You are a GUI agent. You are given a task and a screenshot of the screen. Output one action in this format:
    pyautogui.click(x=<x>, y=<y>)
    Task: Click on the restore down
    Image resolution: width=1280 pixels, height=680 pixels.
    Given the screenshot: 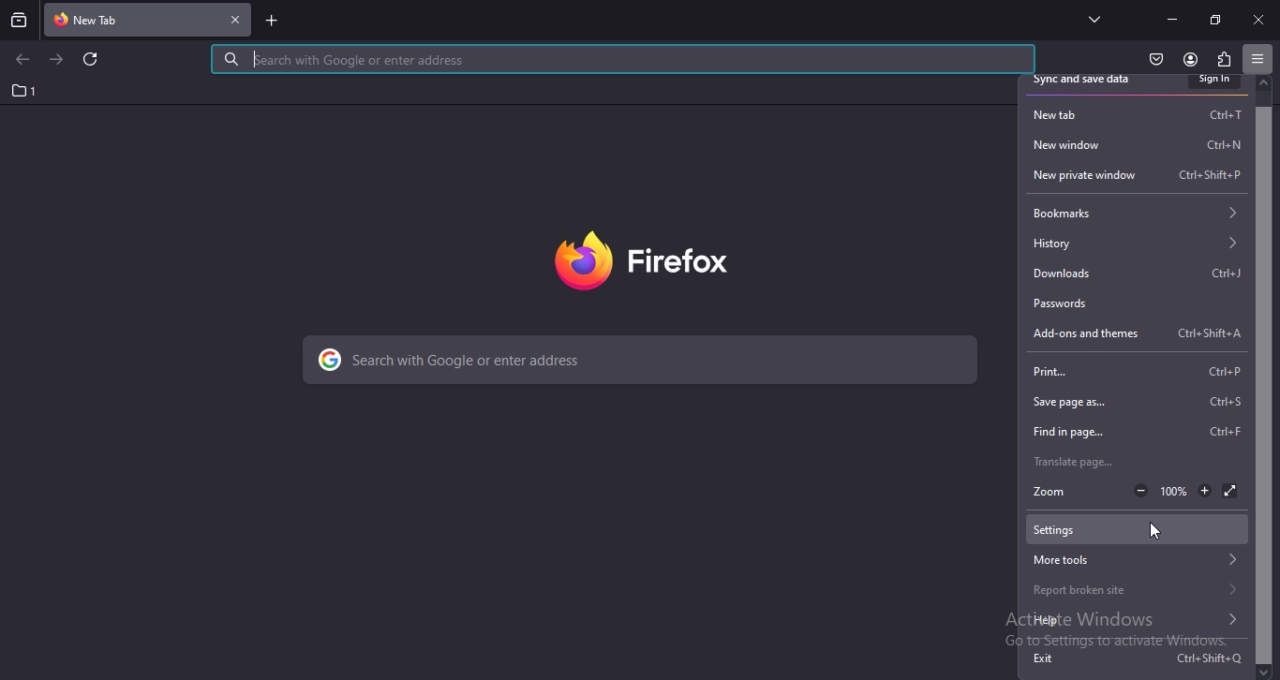 What is the action you would take?
    pyautogui.click(x=1214, y=20)
    